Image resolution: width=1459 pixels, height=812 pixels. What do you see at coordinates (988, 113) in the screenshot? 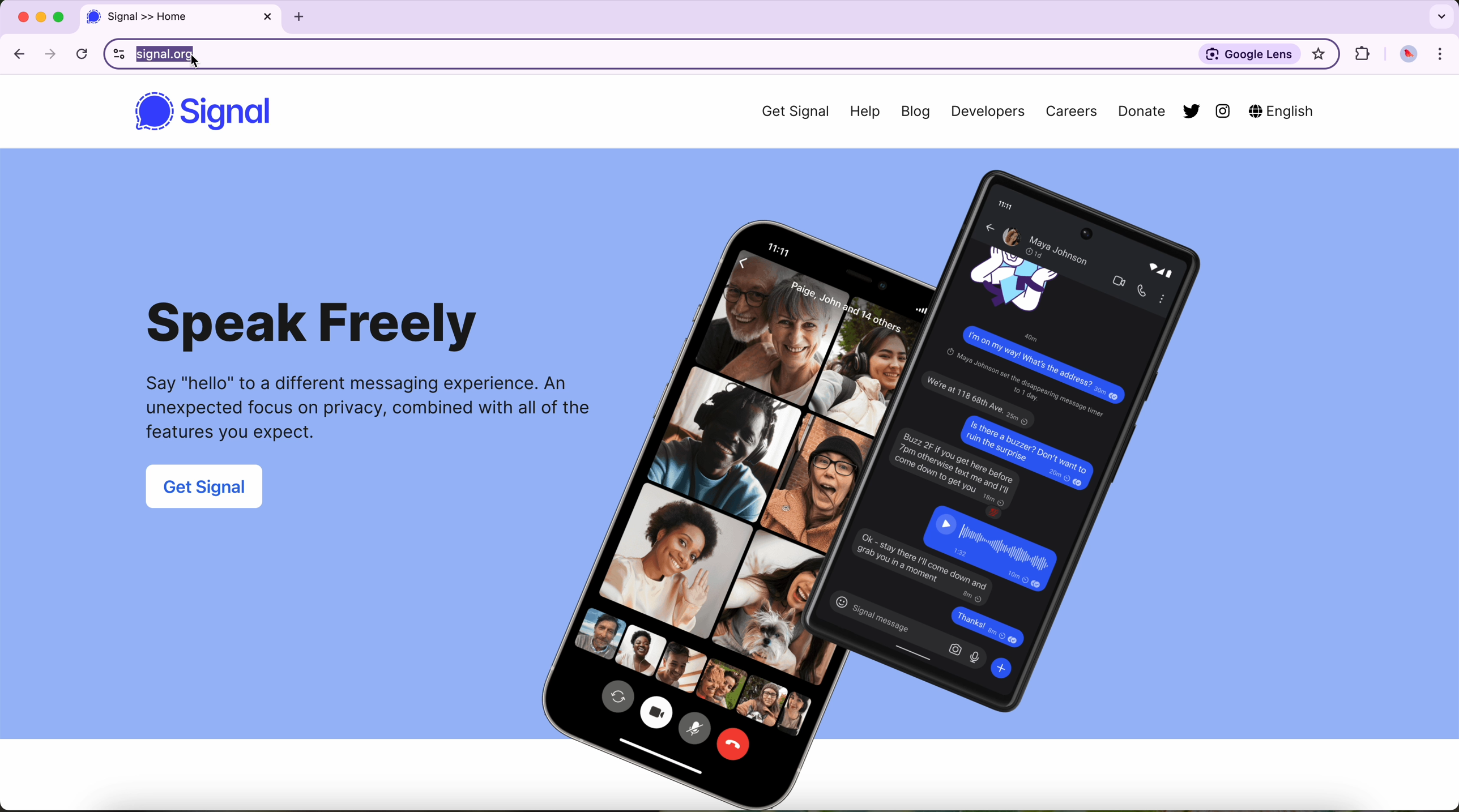
I see `Developers` at bounding box center [988, 113].